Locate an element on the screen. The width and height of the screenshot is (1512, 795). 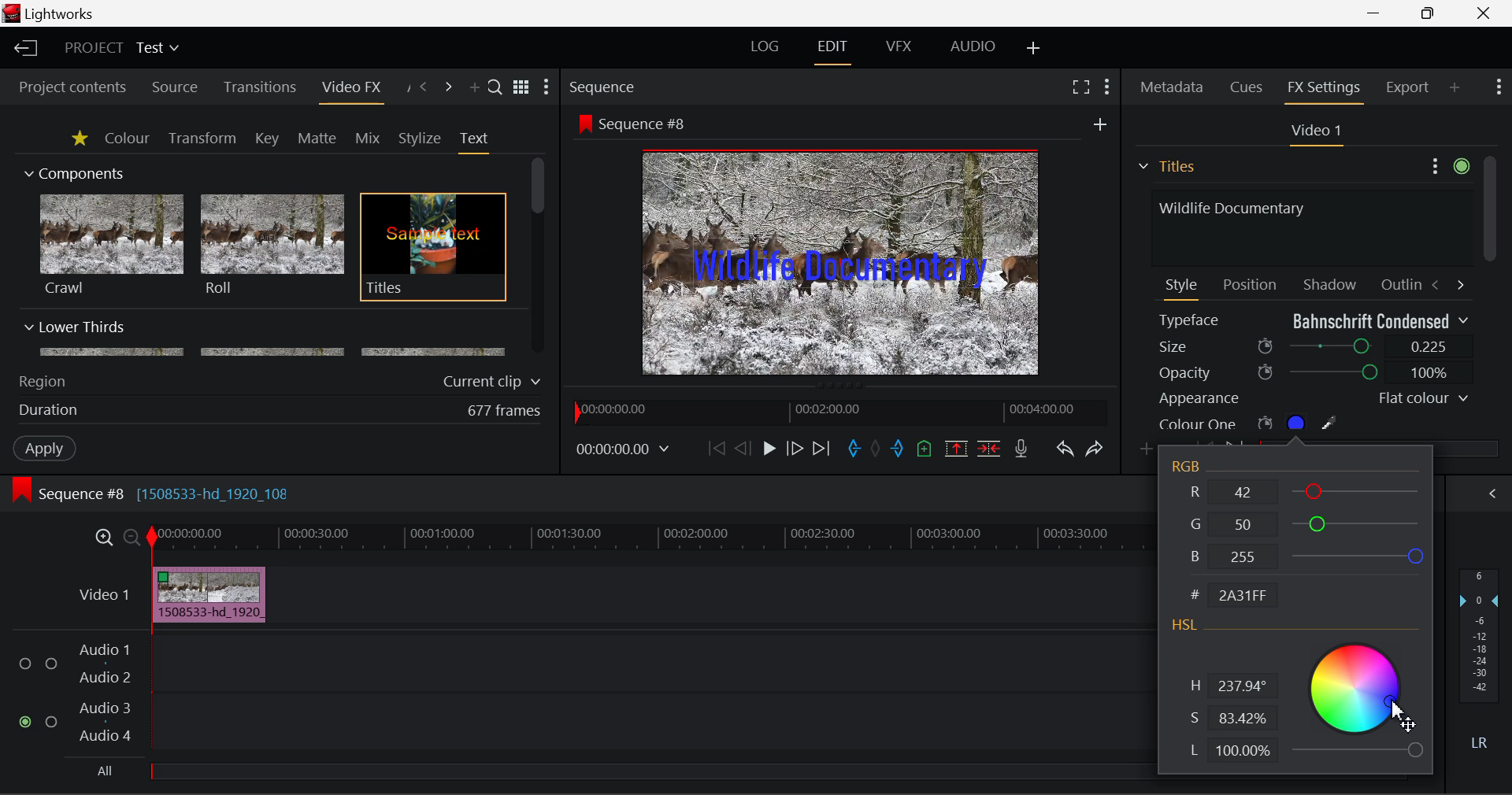
Mark Out is located at coordinates (899, 450).